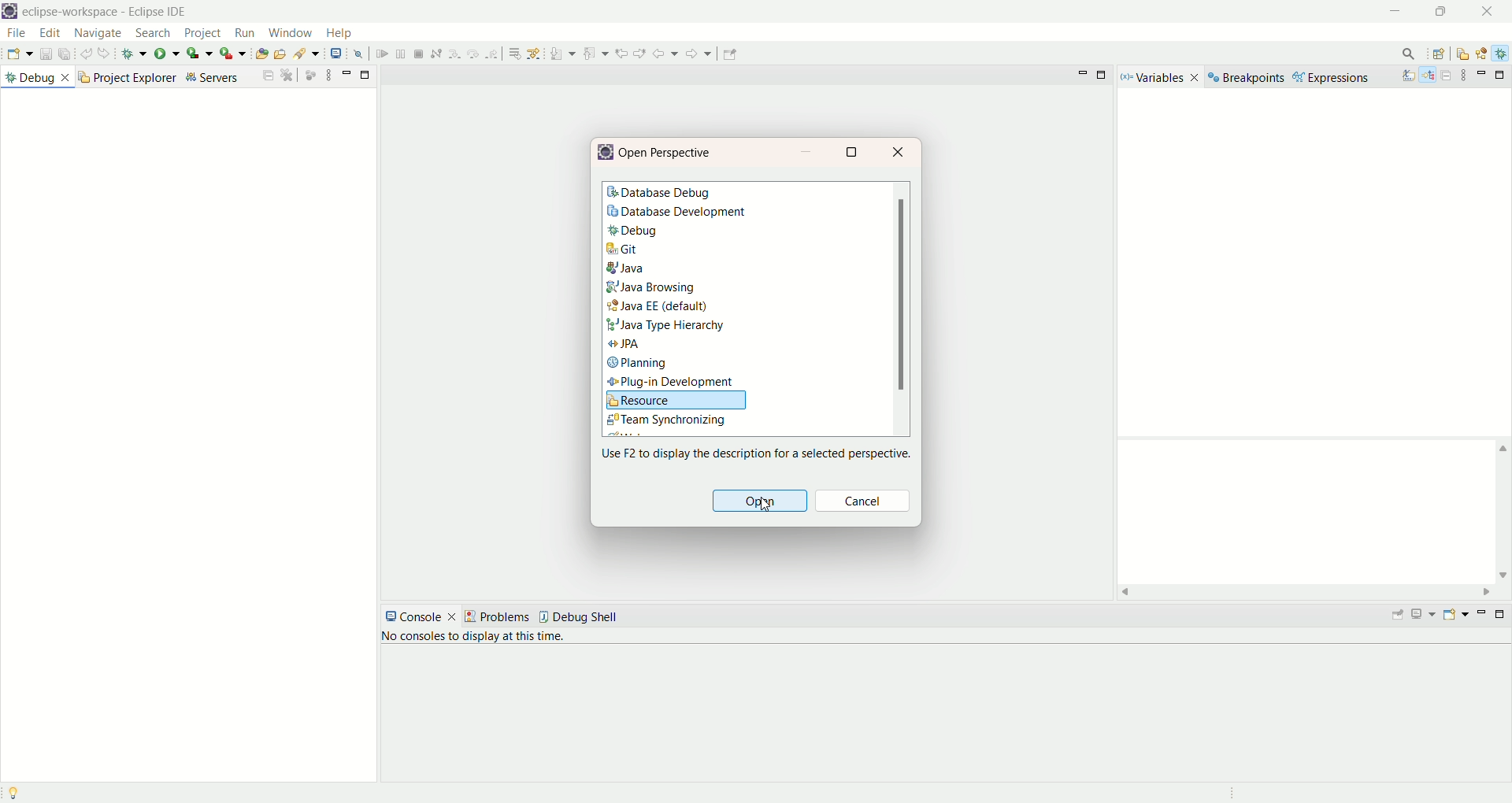 The image size is (1512, 803). What do you see at coordinates (607, 54) in the screenshot?
I see `step return` at bounding box center [607, 54].